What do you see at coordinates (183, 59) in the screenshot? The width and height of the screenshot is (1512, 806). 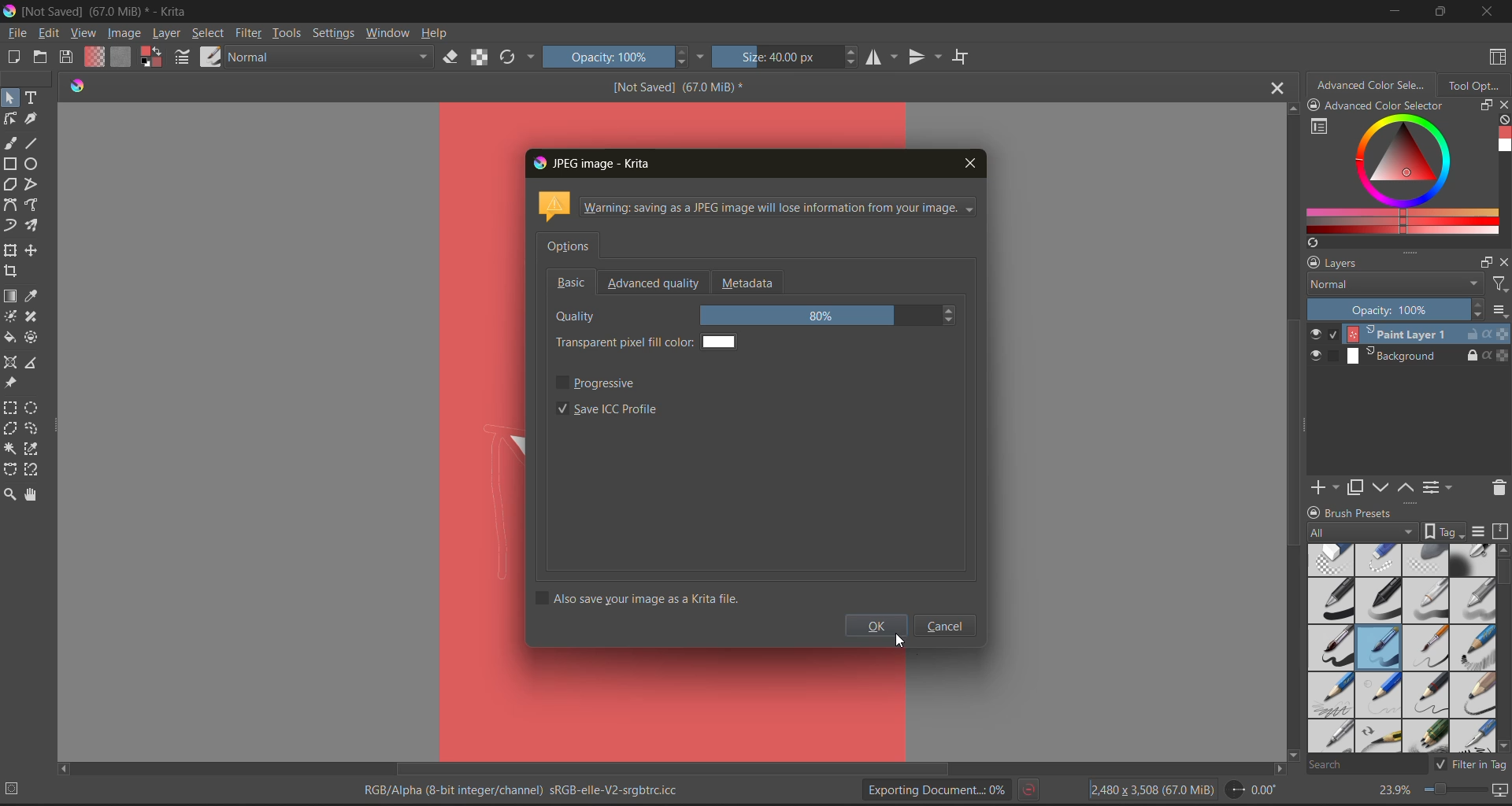 I see `edit brush settings` at bounding box center [183, 59].